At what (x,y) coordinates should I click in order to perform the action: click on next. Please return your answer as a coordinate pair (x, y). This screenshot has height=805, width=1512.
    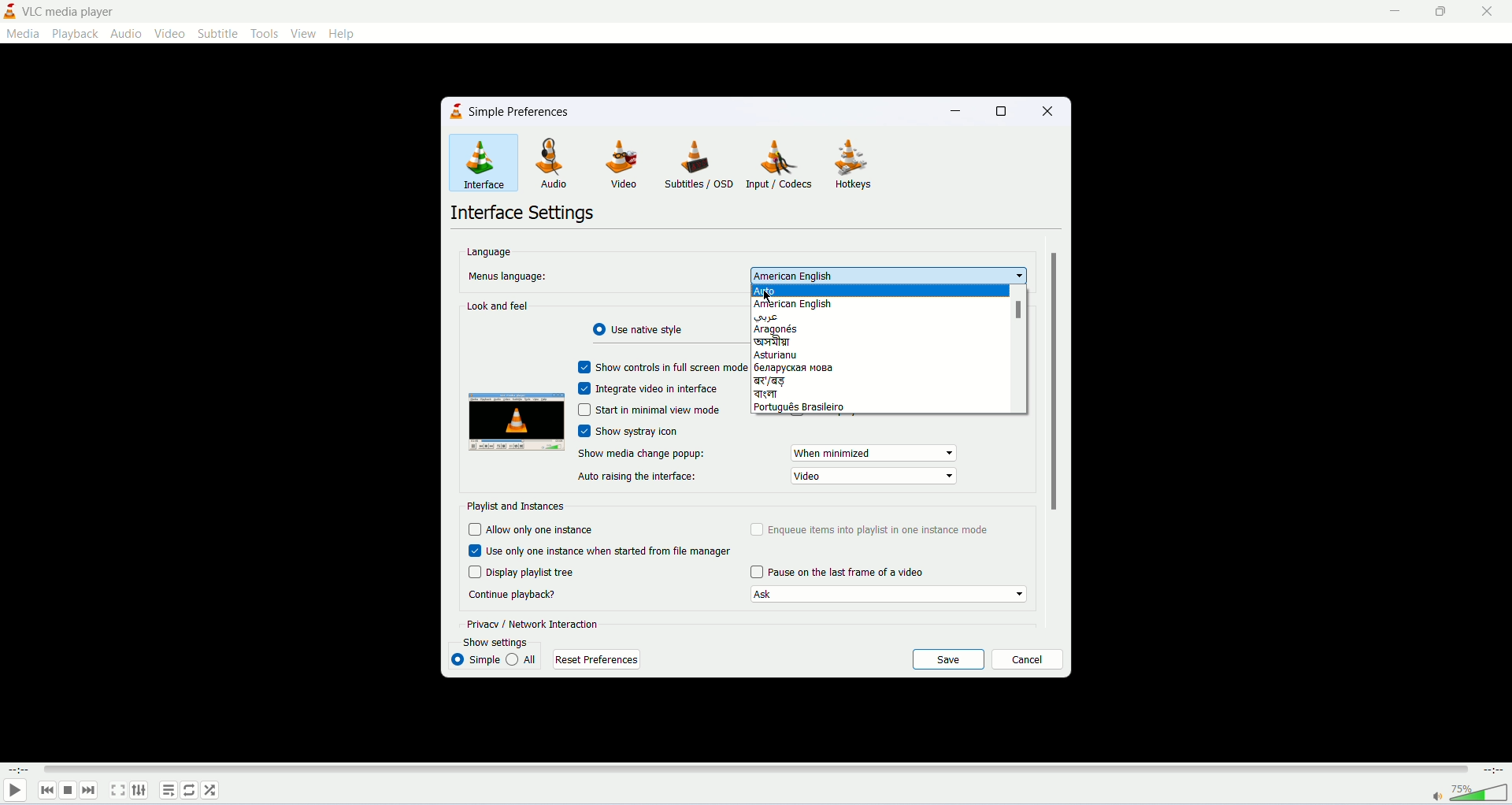
    Looking at the image, I should click on (91, 793).